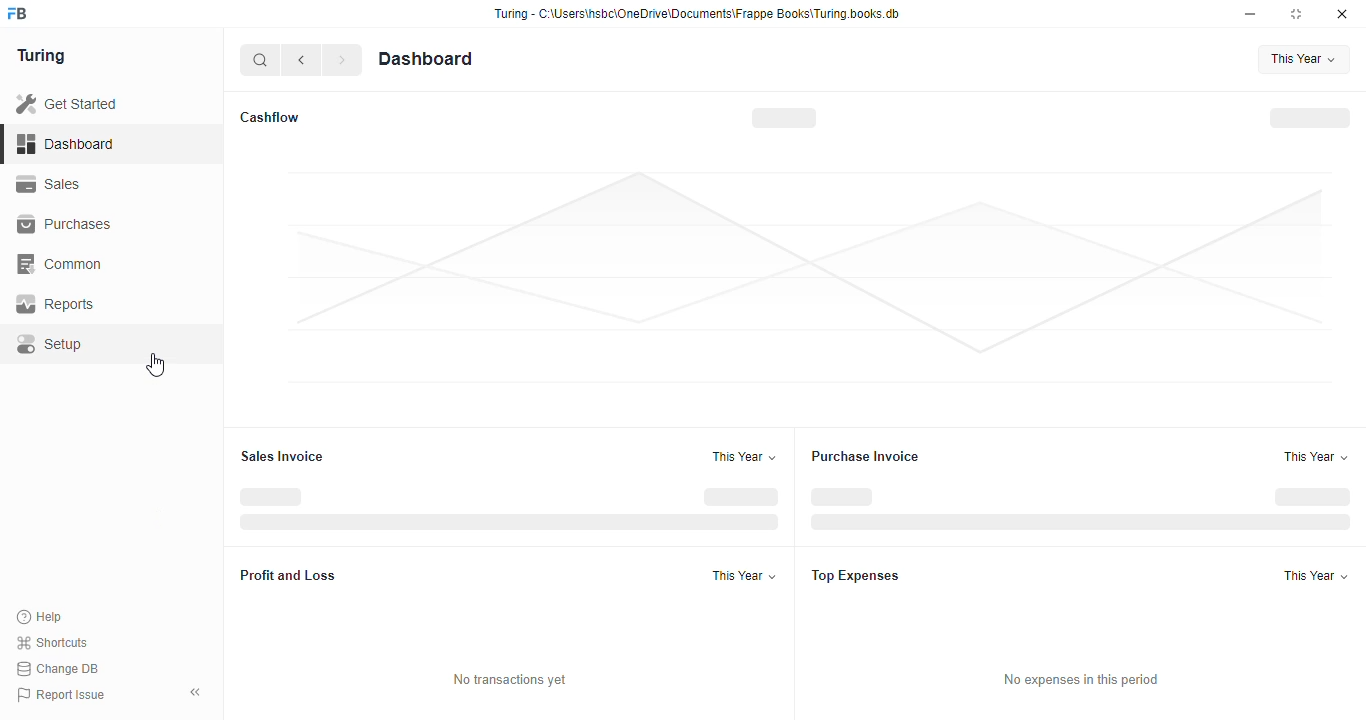 The height and width of the screenshot is (720, 1366). I want to click on profit and loss, so click(290, 574).